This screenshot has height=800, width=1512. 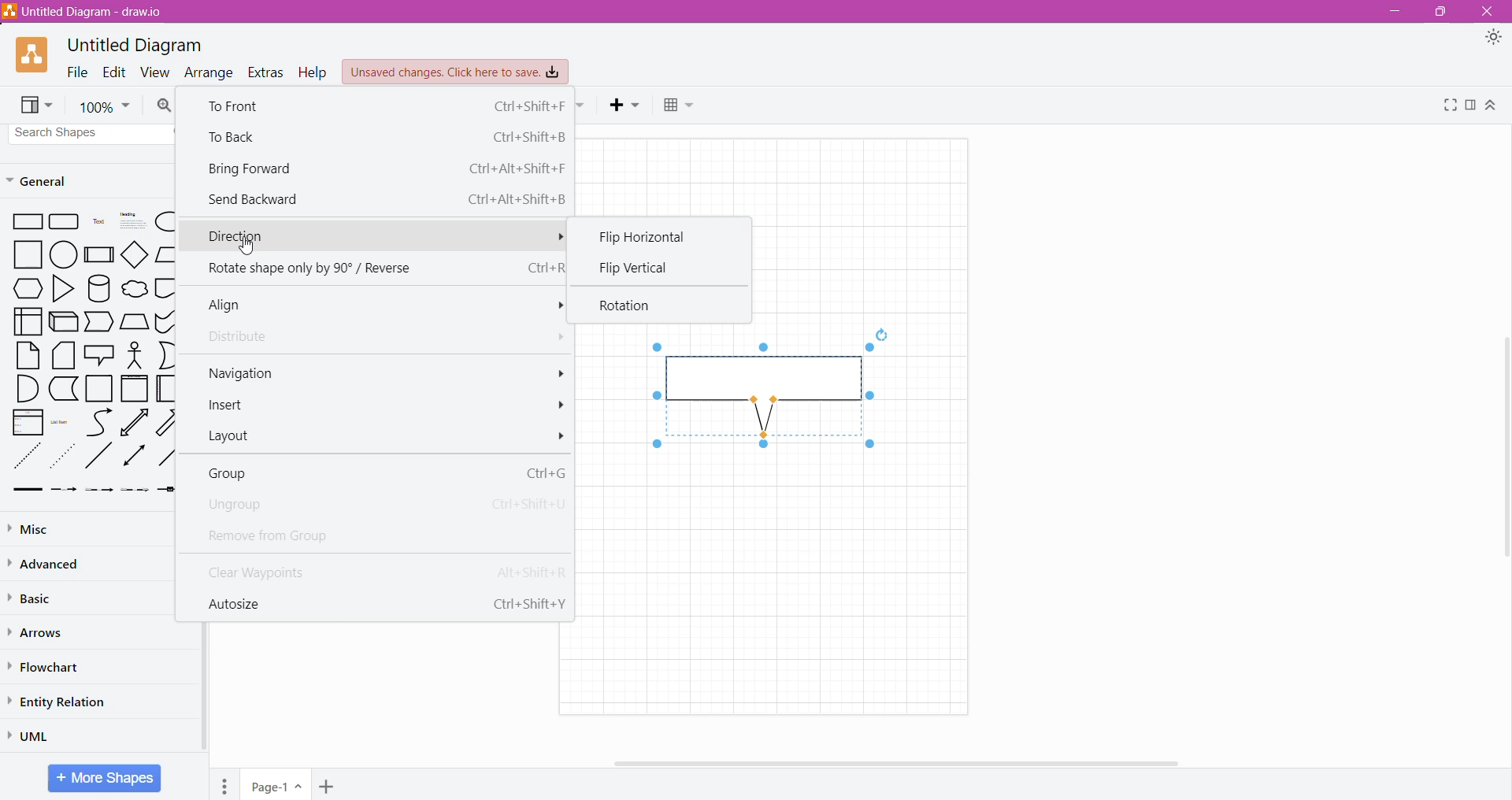 I want to click on Wavy Rectangle, so click(x=165, y=321).